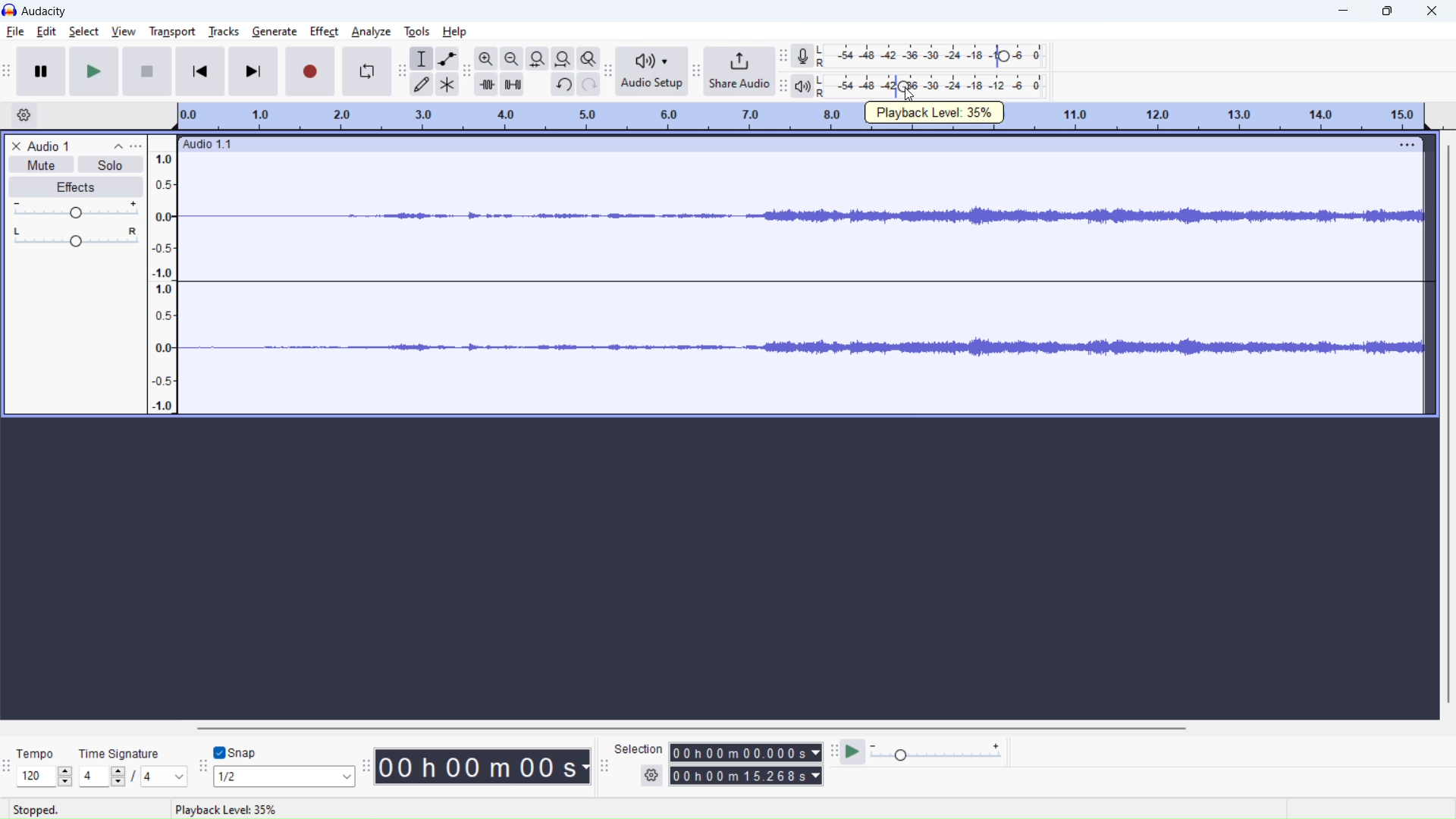  Describe the element at coordinates (638, 748) in the screenshot. I see `selection` at that location.